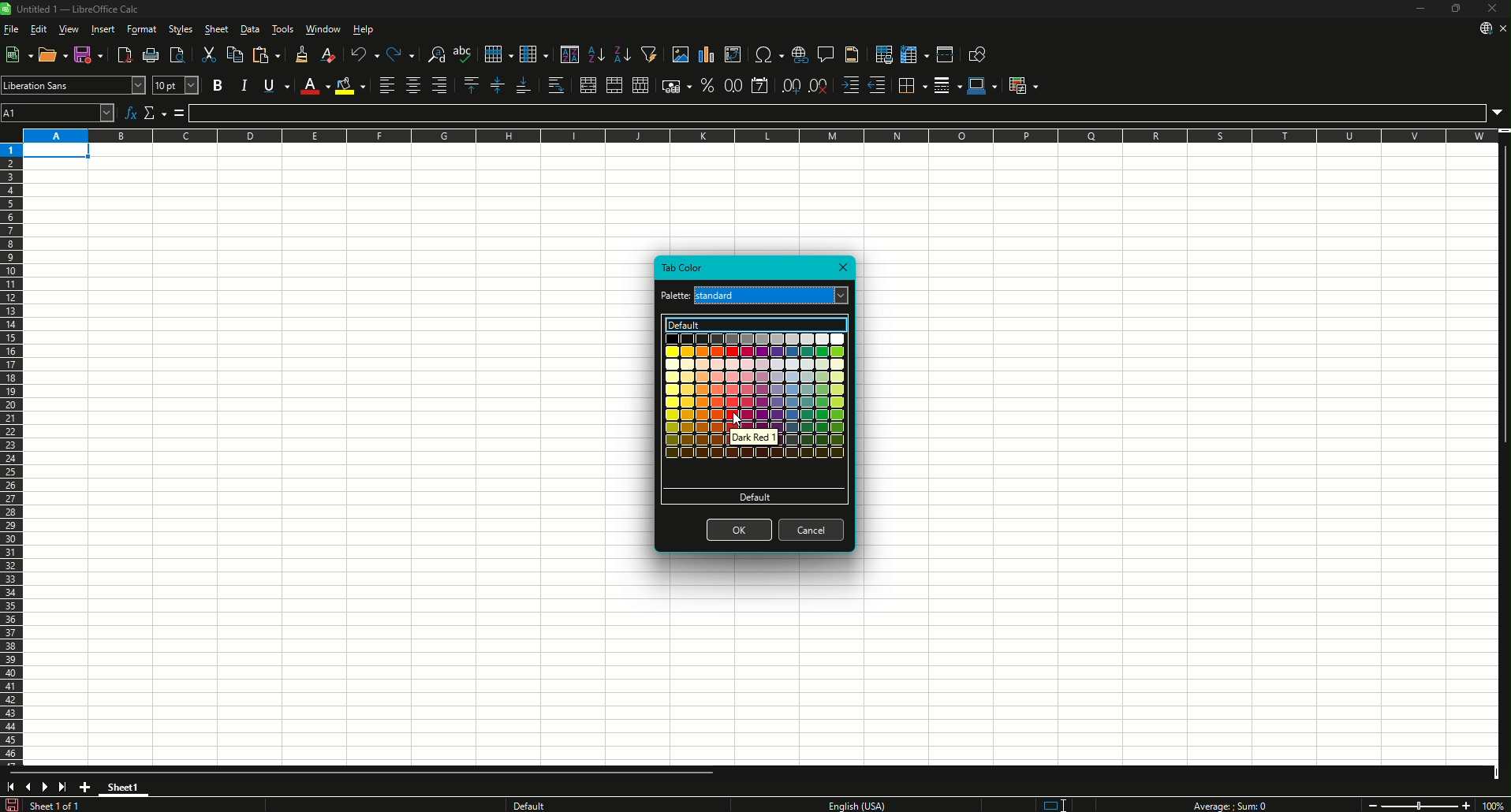 The width and height of the screenshot is (1511, 812). I want to click on Freeze Rows and Columns, so click(914, 54).